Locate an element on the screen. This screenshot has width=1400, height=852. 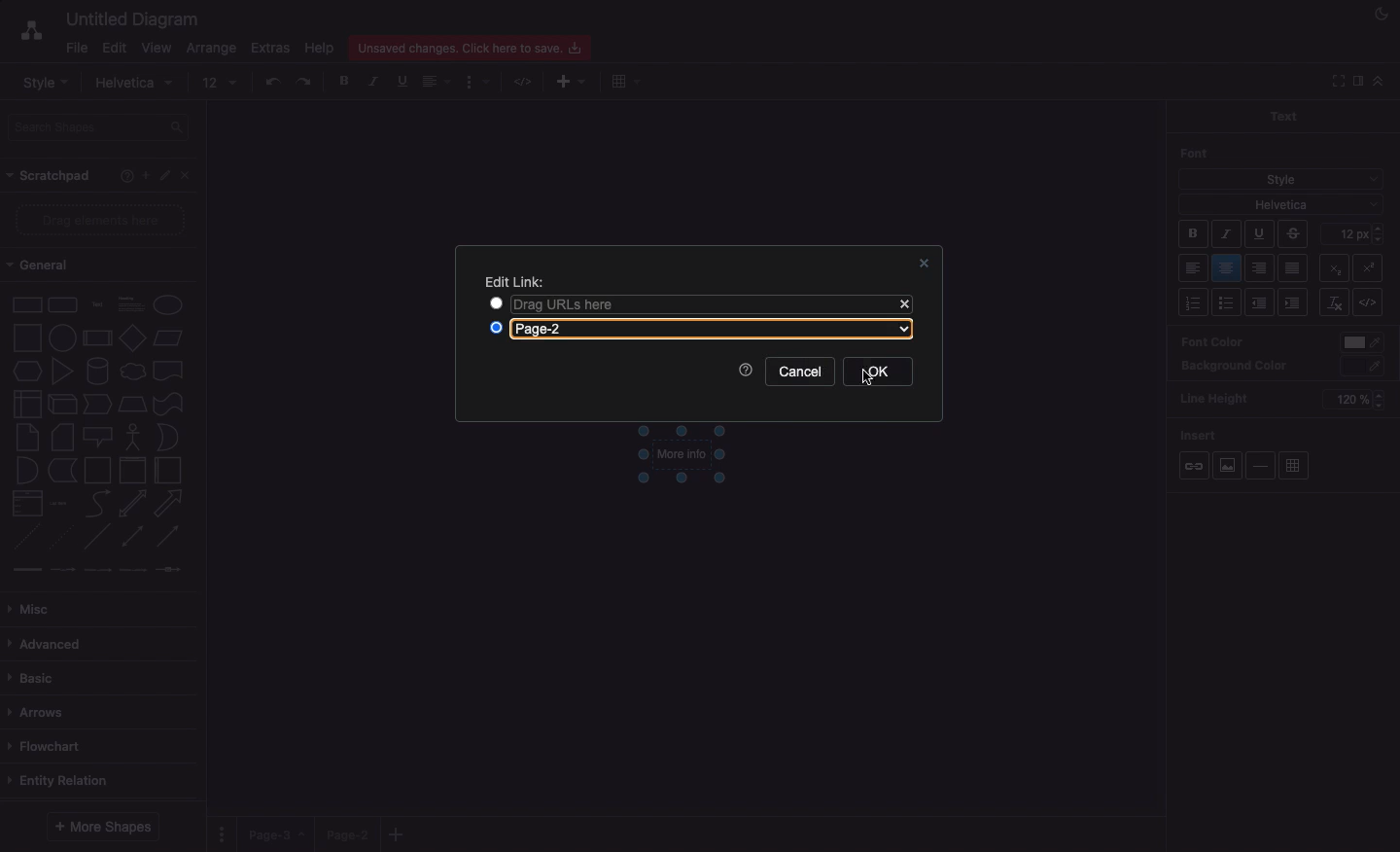
card is located at coordinates (63, 436).